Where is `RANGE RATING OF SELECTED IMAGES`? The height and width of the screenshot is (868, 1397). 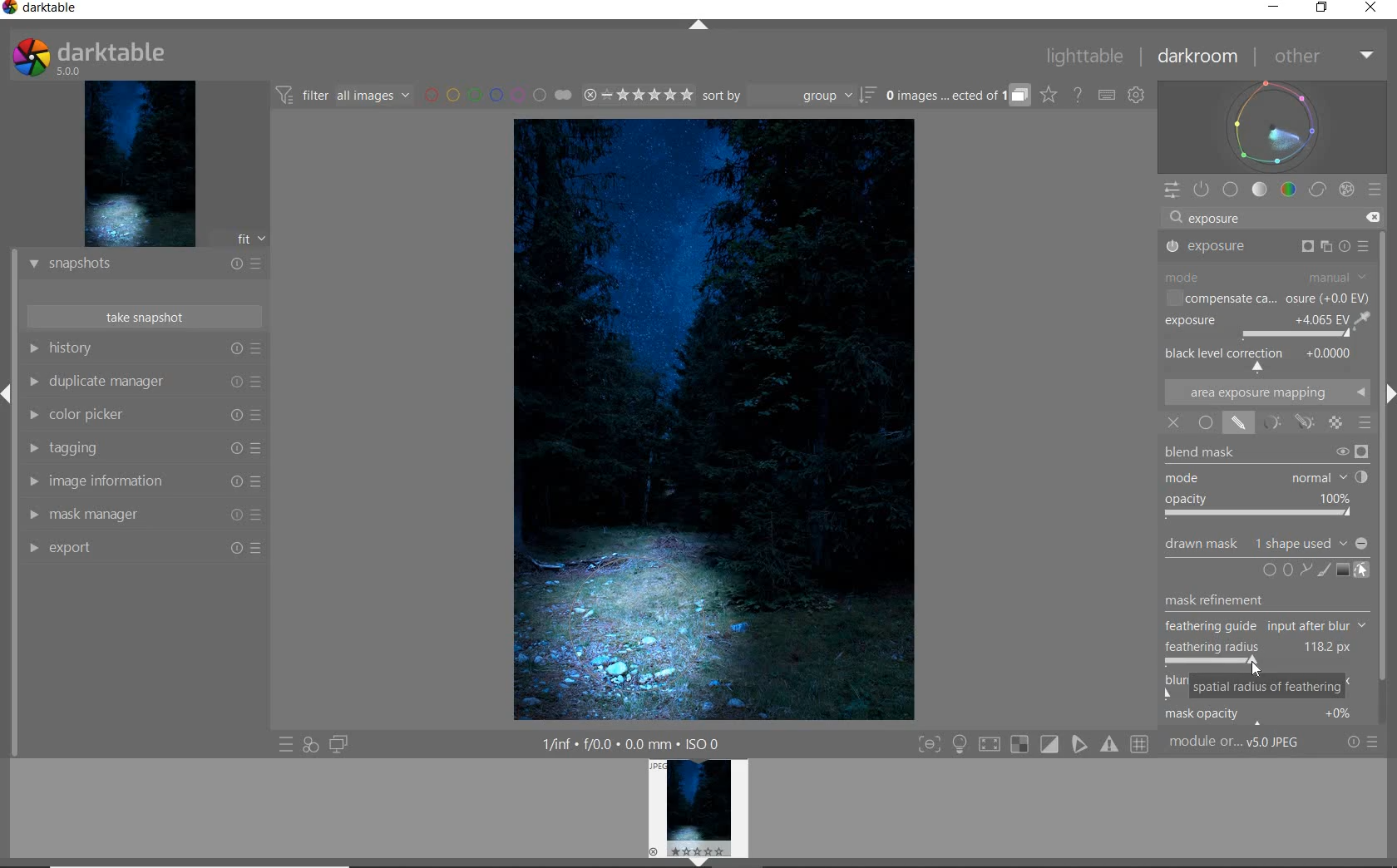 RANGE RATING OF SELECTED IMAGES is located at coordinates (638, 95).